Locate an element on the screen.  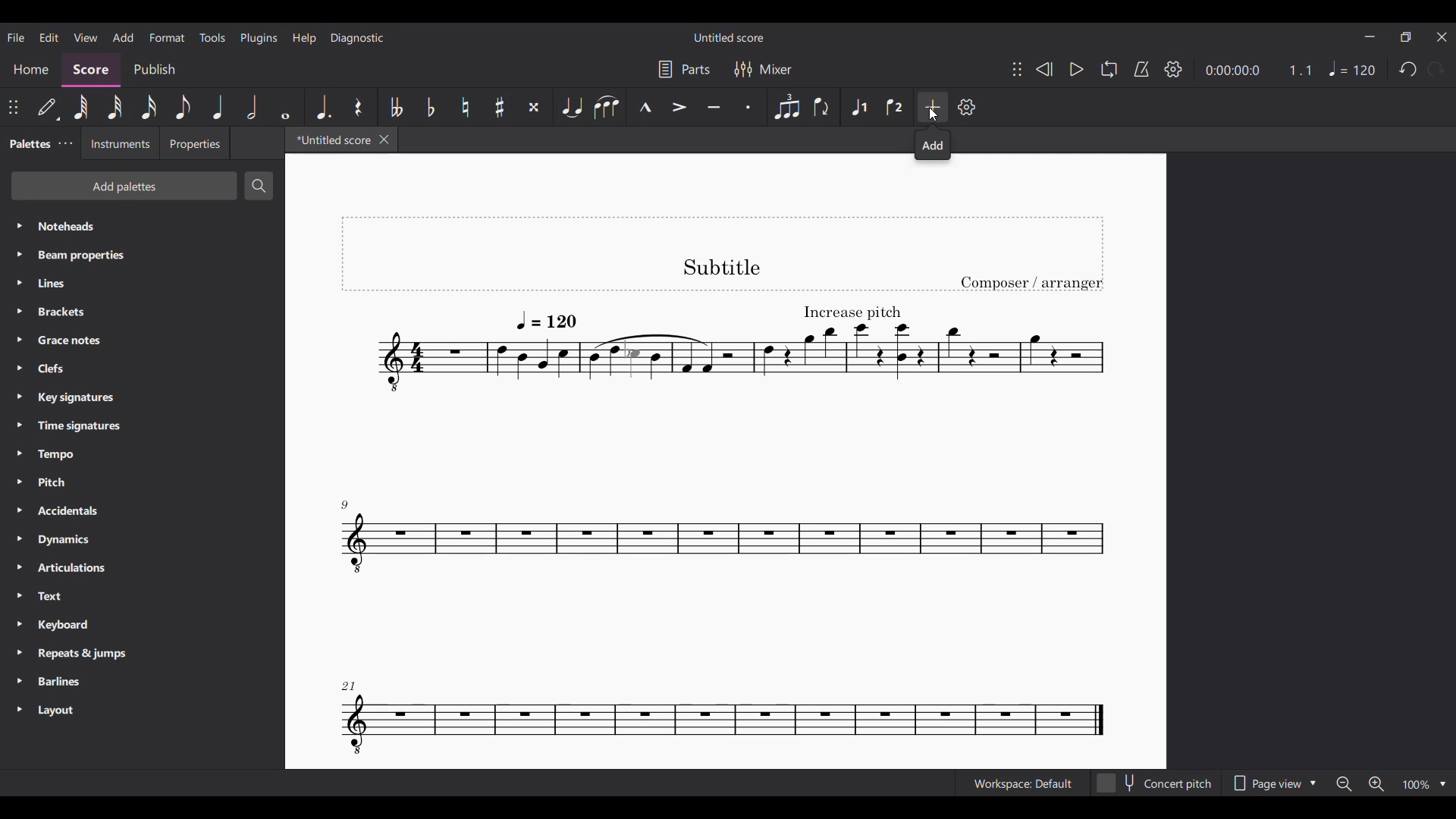
Redo is located at coordinates (1436, 69).